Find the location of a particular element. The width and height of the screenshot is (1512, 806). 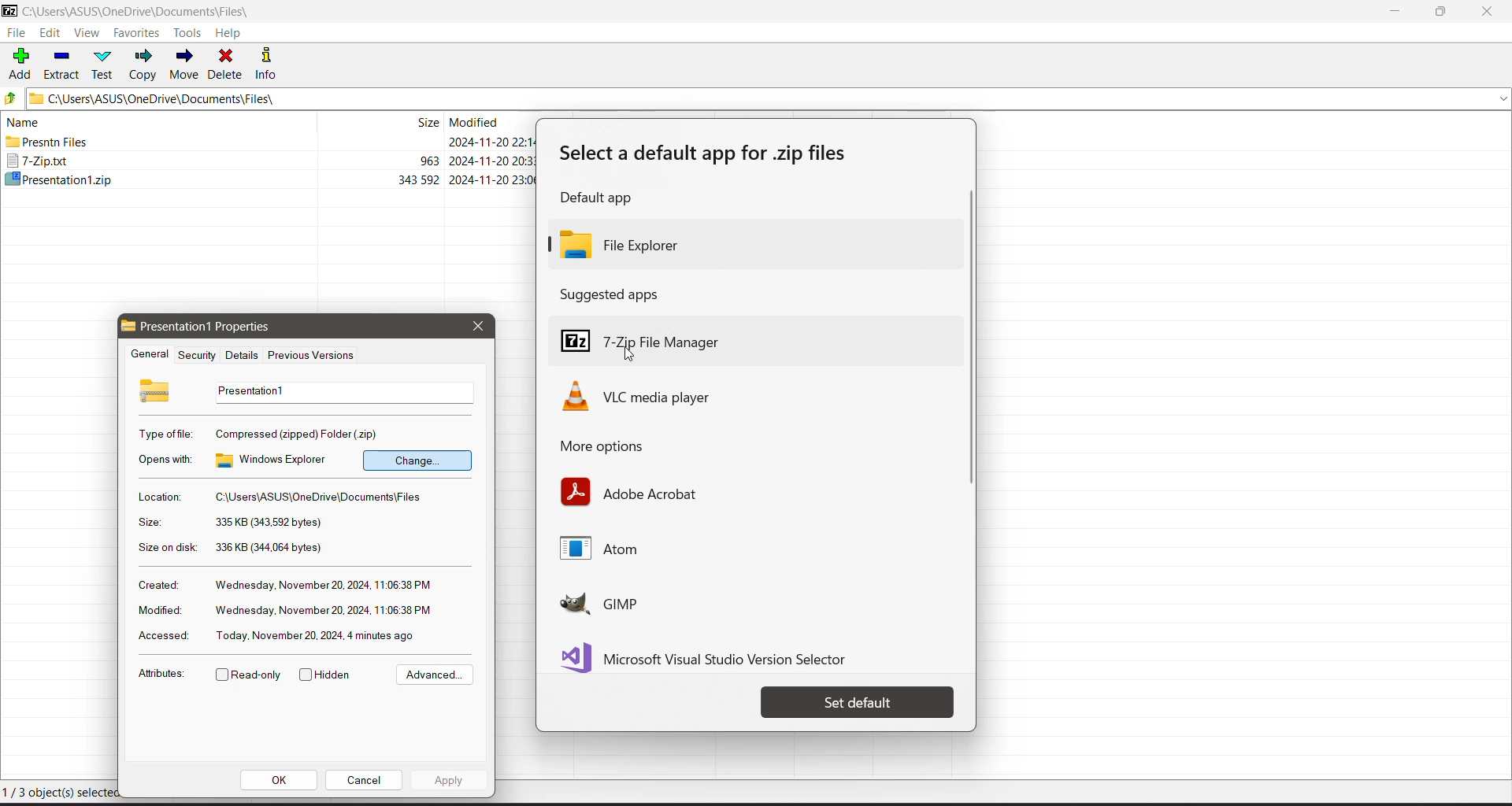

Location is located at coordinates (158, 497).